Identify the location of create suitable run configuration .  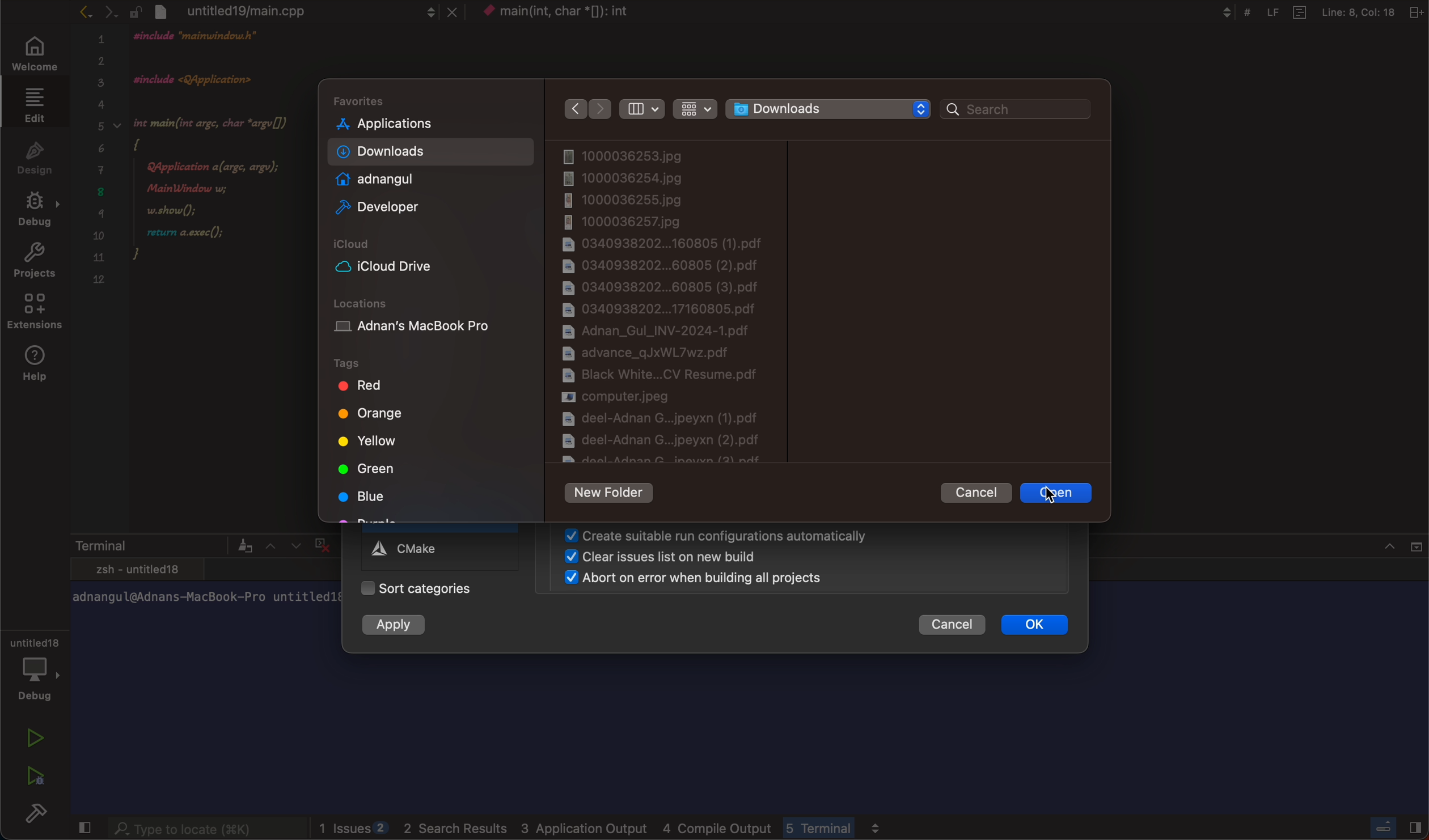
(715, 538).